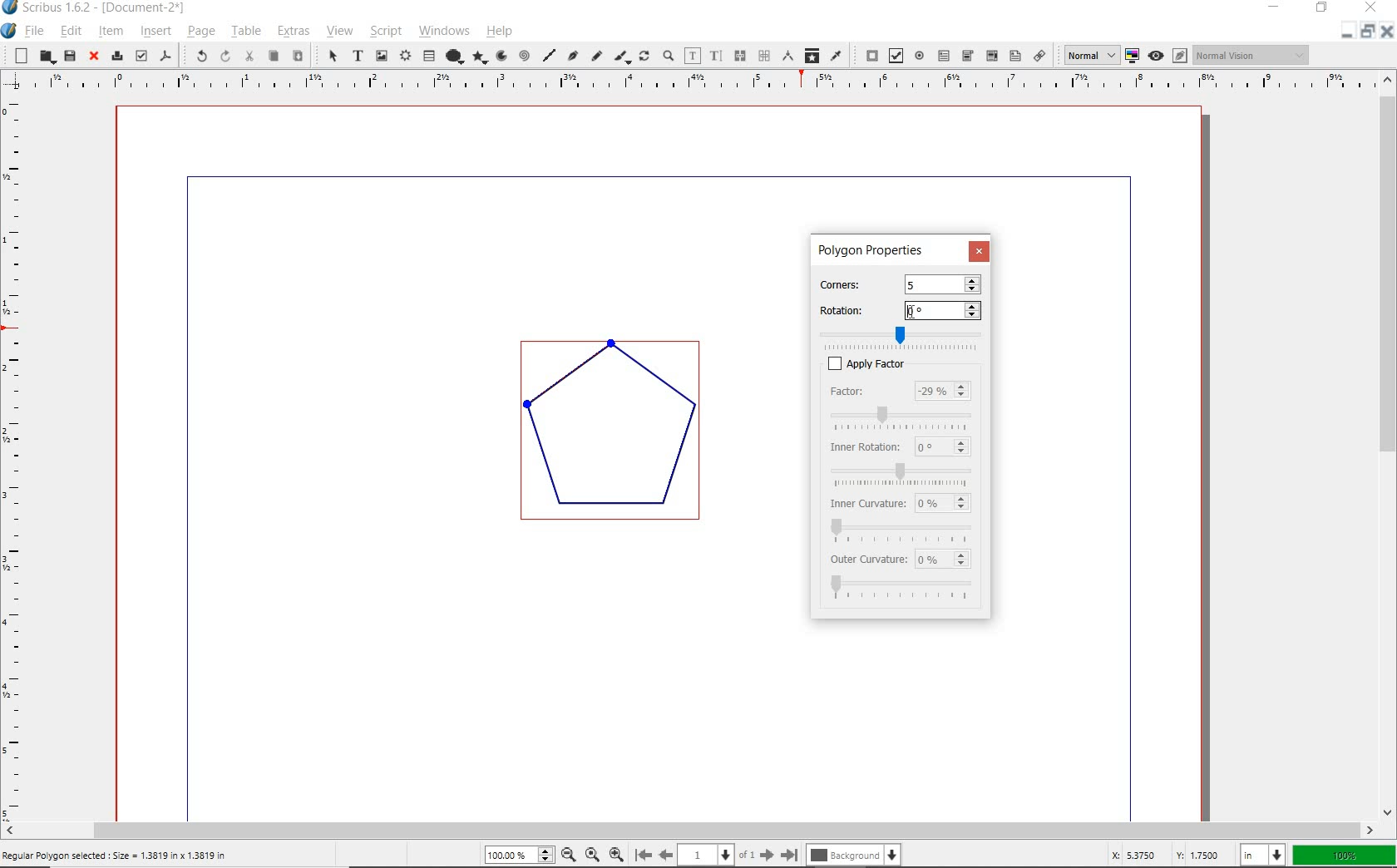  I want to click on copy, so click(274, 56).